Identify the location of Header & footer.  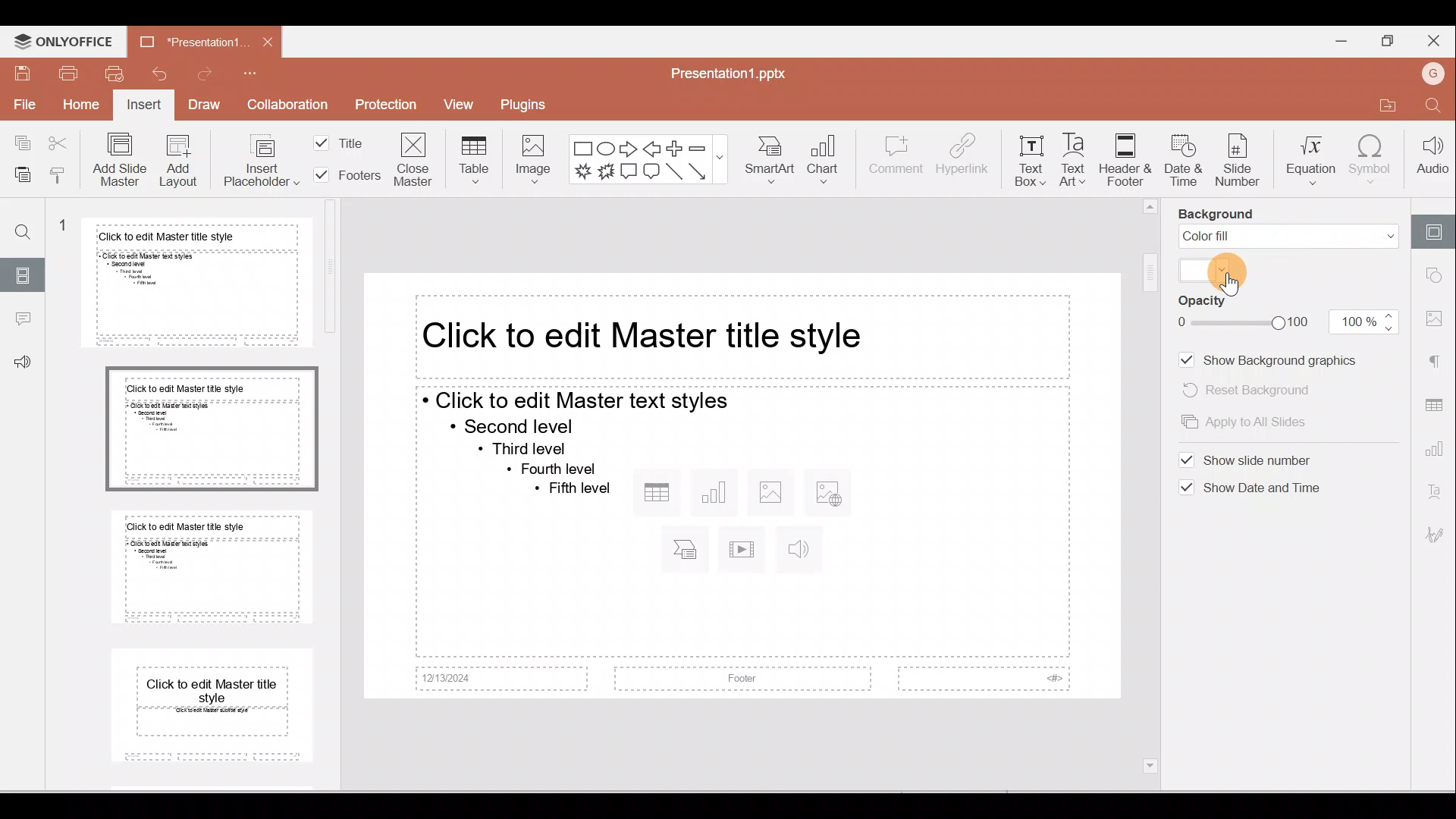
(1124, 159).